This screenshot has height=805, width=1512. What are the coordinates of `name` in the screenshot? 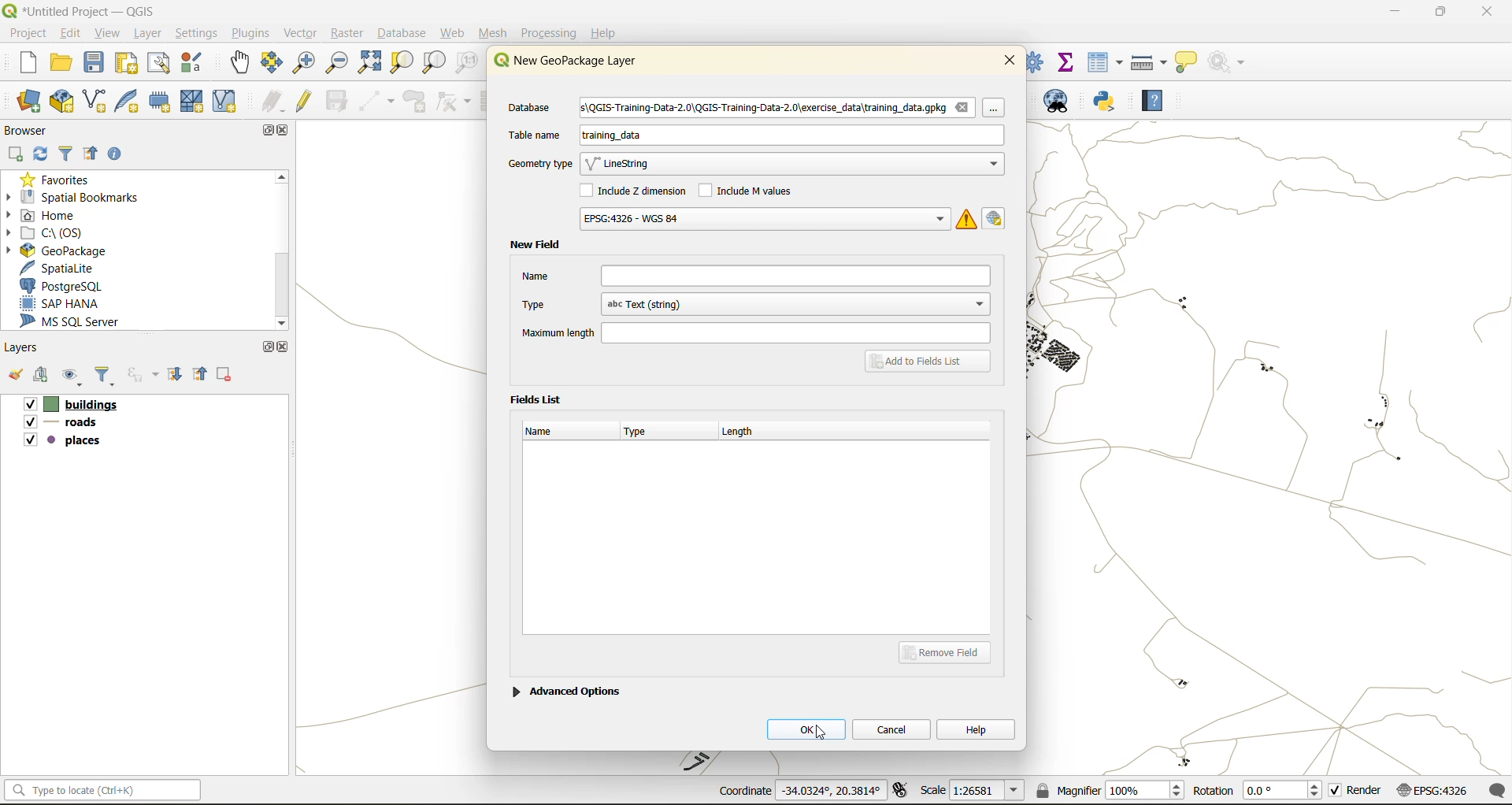 It's located at (755, 276).